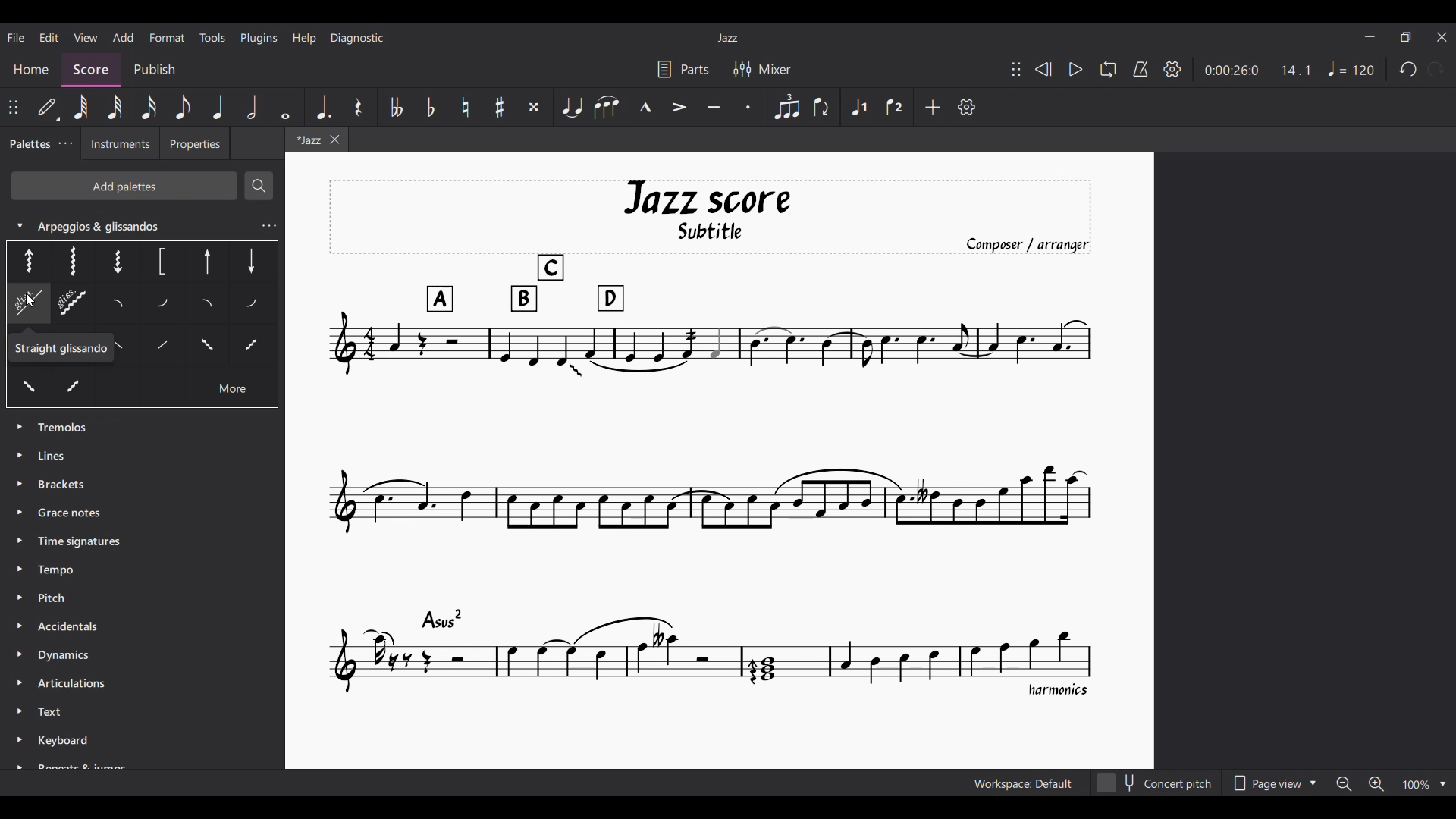 The image size is (1456, 819). Describe the element at coordinates (933, 107) in the screenshot. I see `Add` at that location.